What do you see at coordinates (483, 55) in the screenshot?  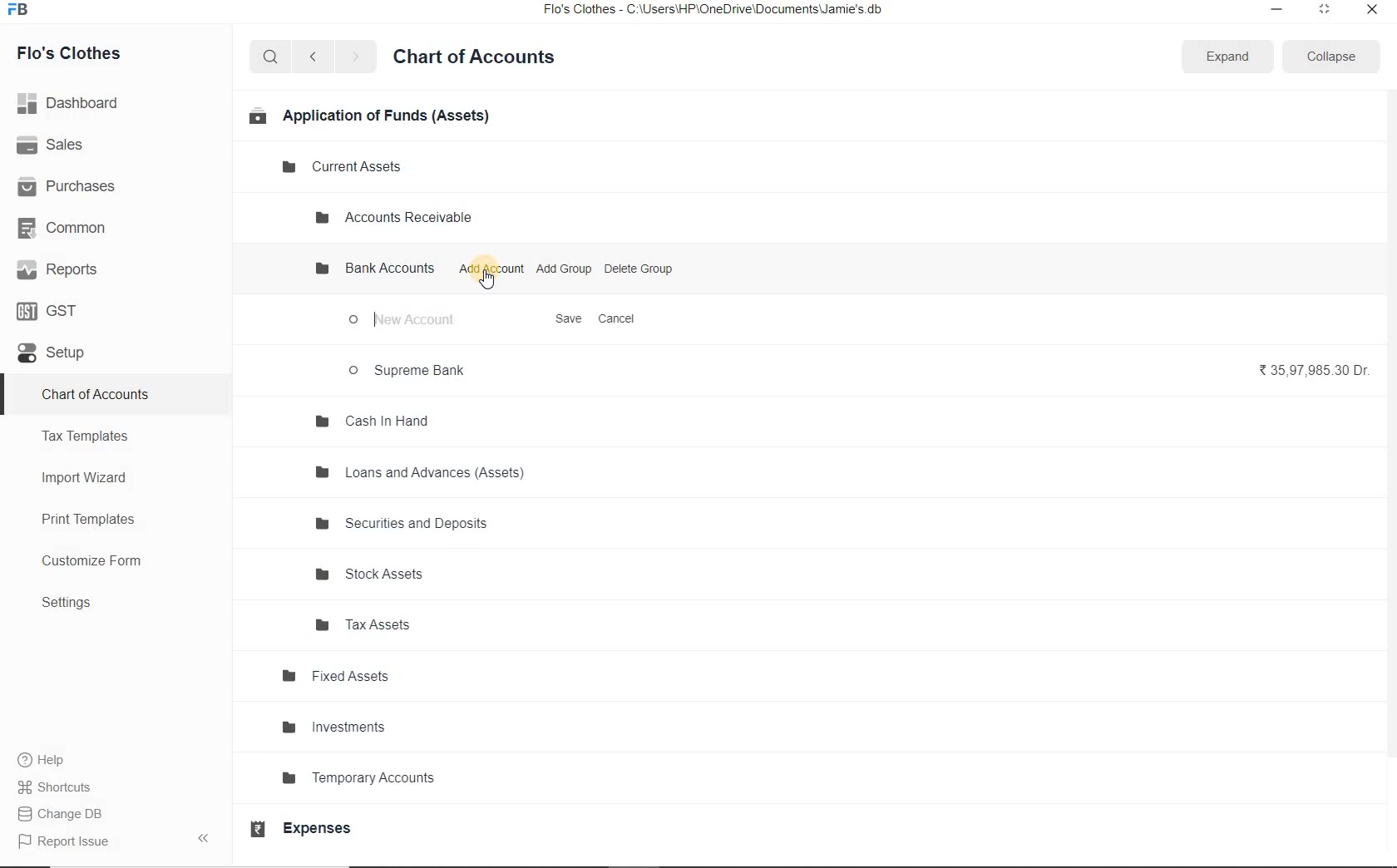 I see `Chart of Accounts` at bounding box center [483, 55].